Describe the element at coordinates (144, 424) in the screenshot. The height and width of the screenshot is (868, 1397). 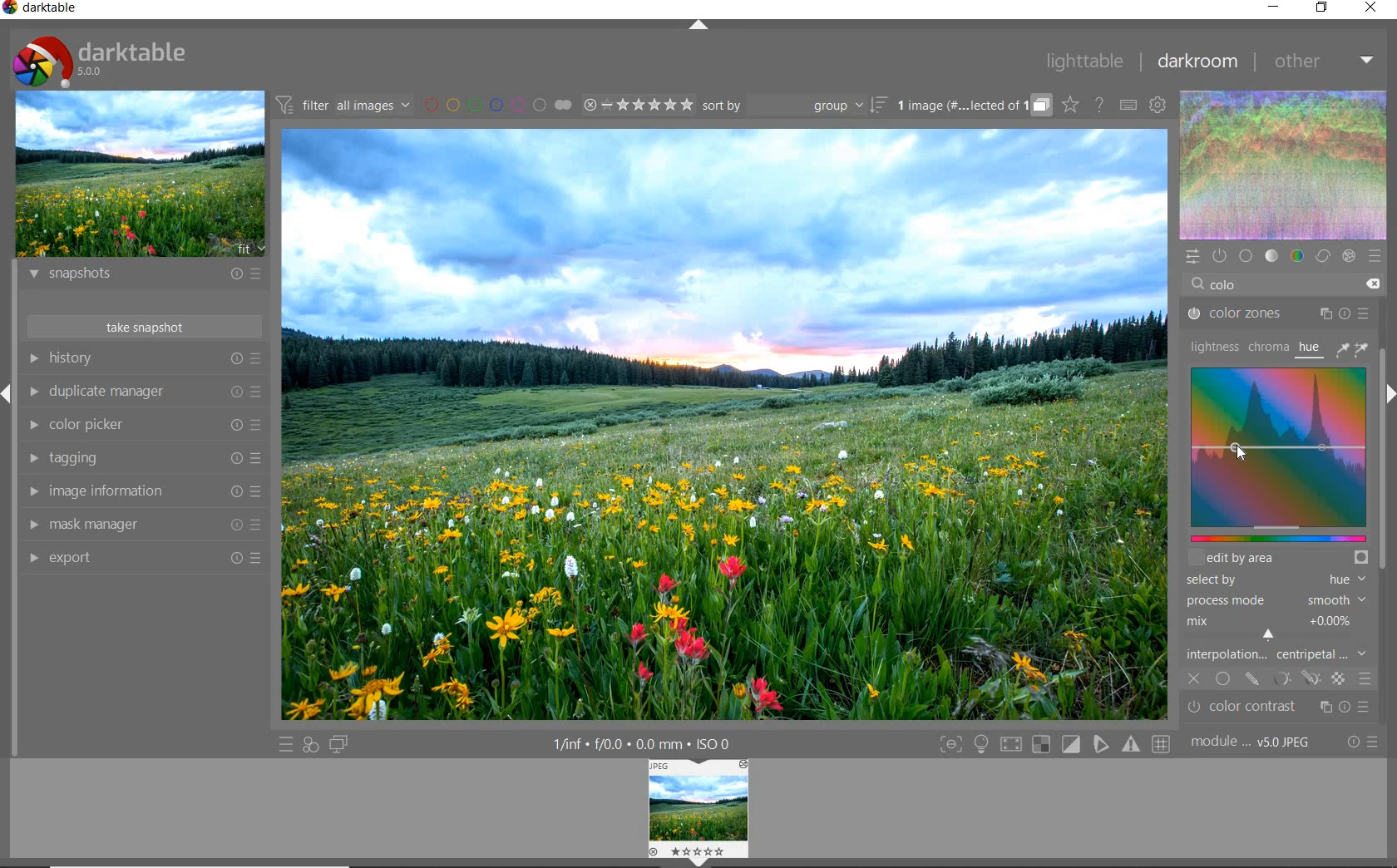
I see `color picker` at that location.